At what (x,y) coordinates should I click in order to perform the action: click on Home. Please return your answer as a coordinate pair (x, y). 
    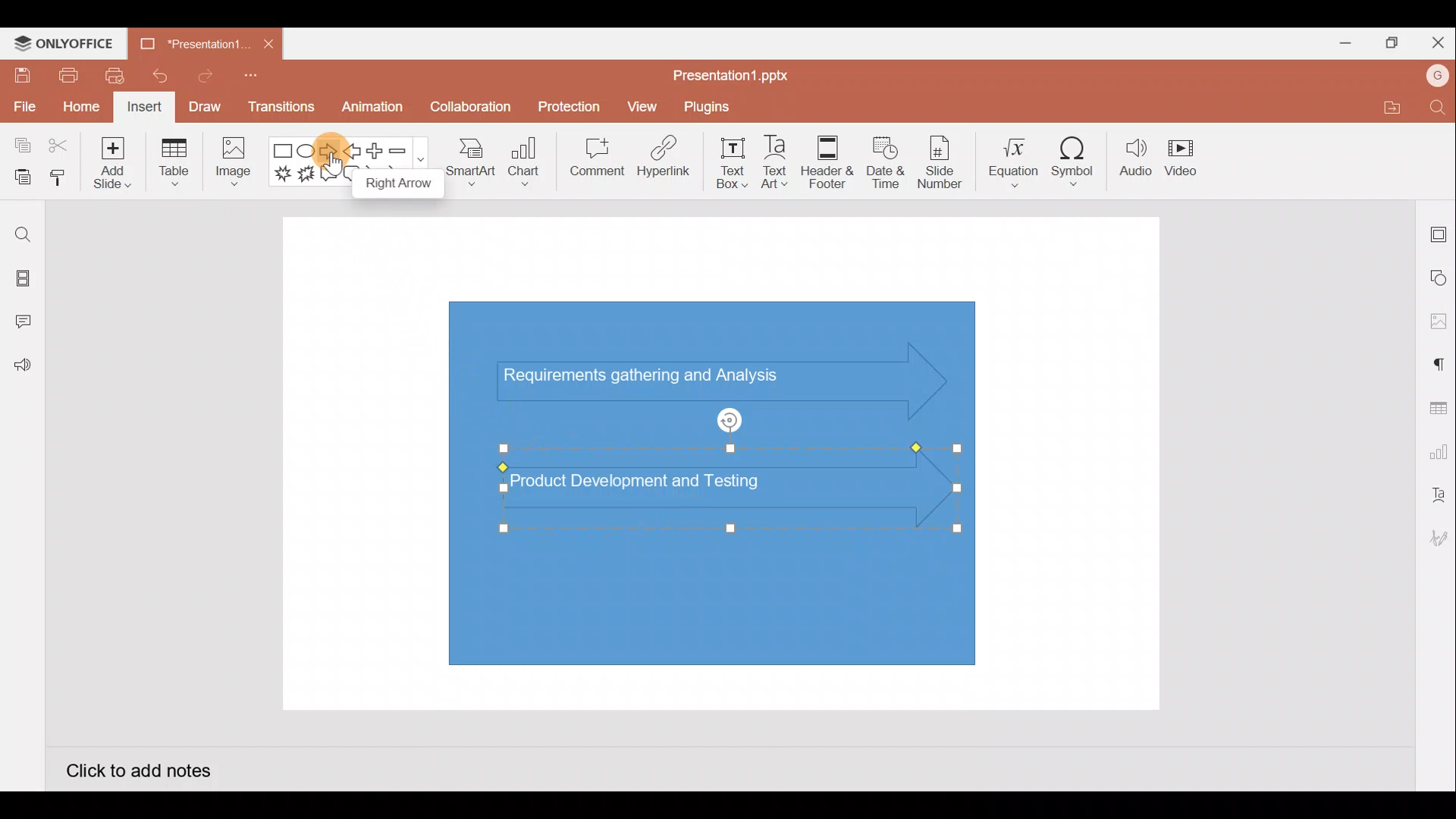
    Looking at the image, I should click on (81, 108).